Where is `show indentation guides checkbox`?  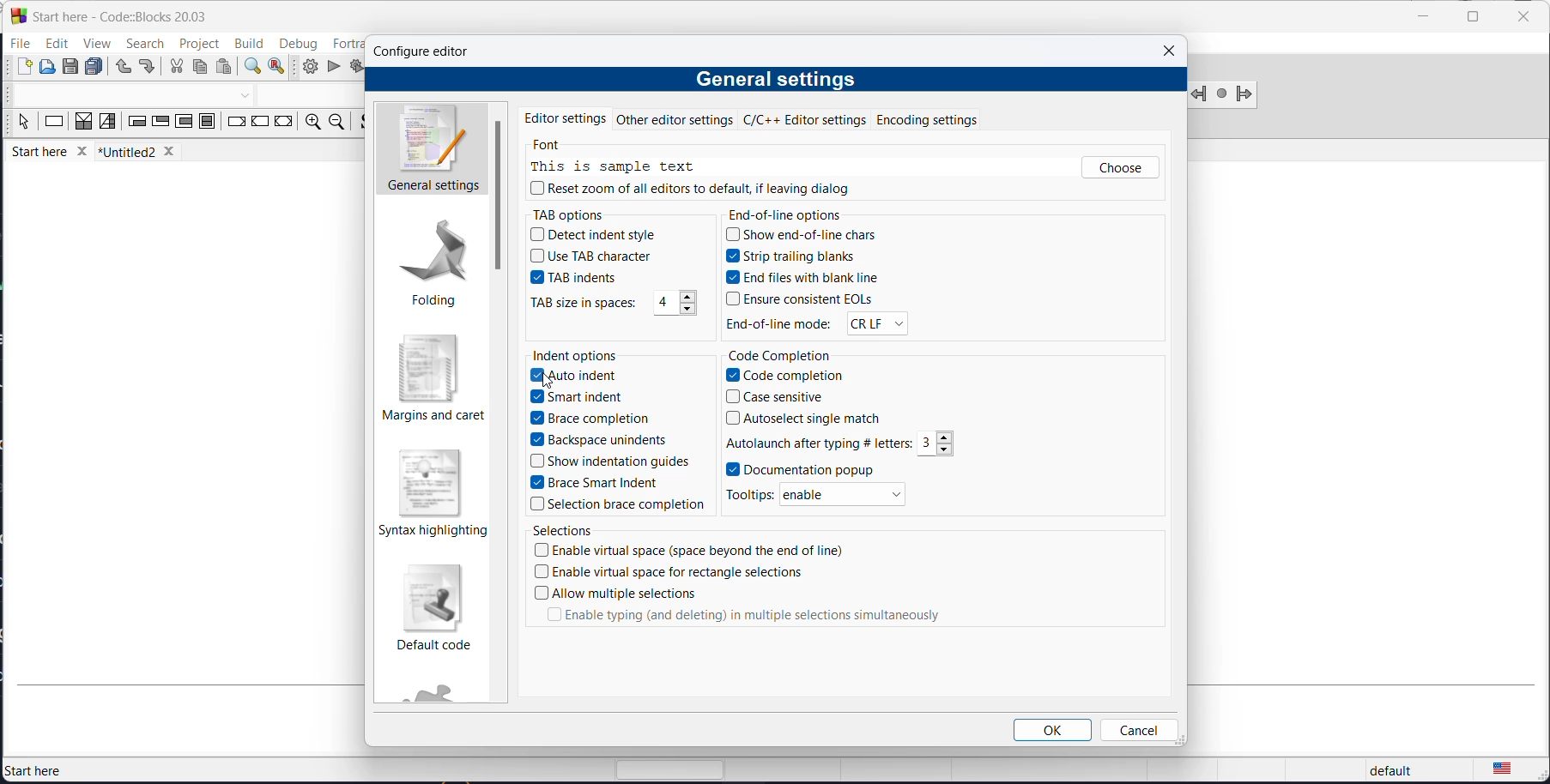 show indentation guides checkbox is located at coordinates (613, 462).